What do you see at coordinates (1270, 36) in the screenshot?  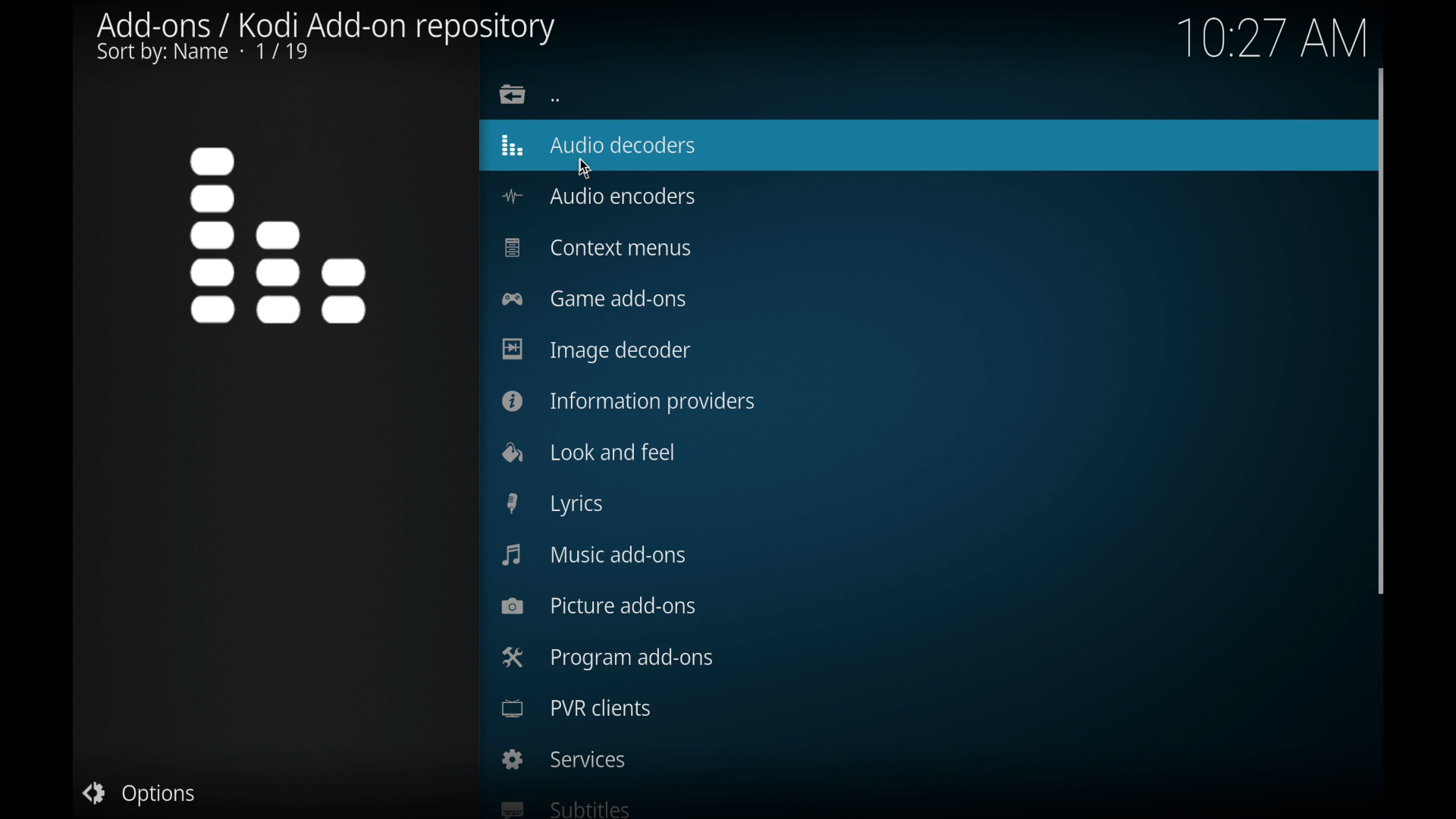 I see `10.27 am` at bounding box center [1270, 36].